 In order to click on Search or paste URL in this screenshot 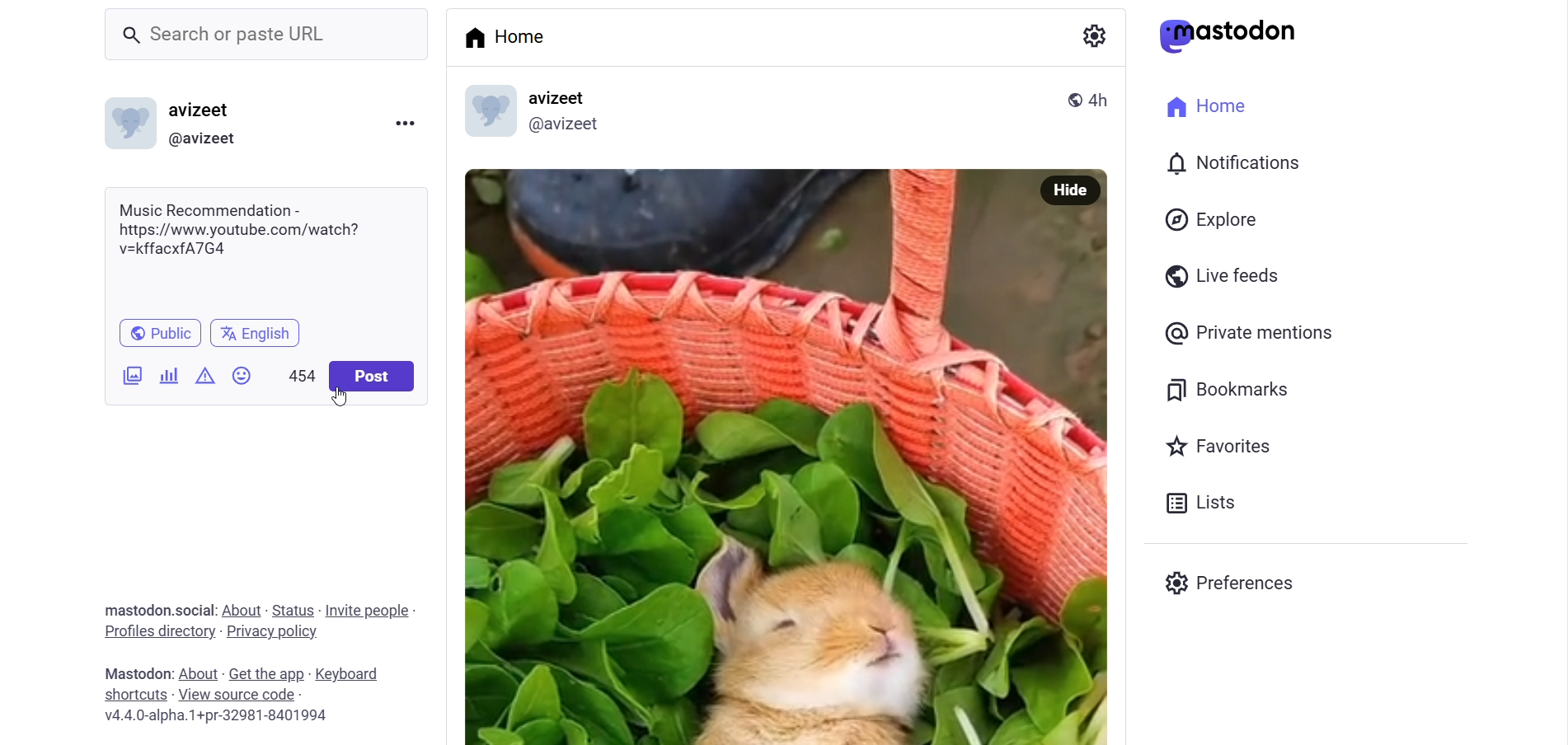, I will do `click(265, 36)`.